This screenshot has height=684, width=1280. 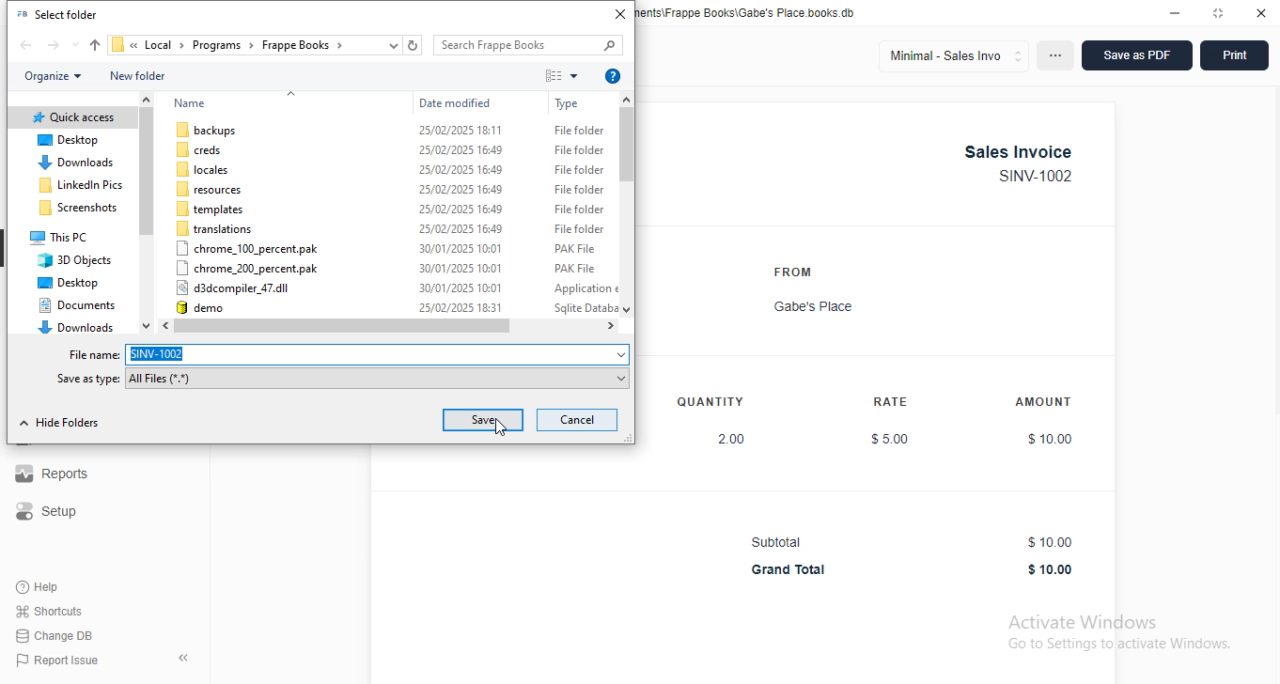 I want to click on backups, so click(x=208, y=129).